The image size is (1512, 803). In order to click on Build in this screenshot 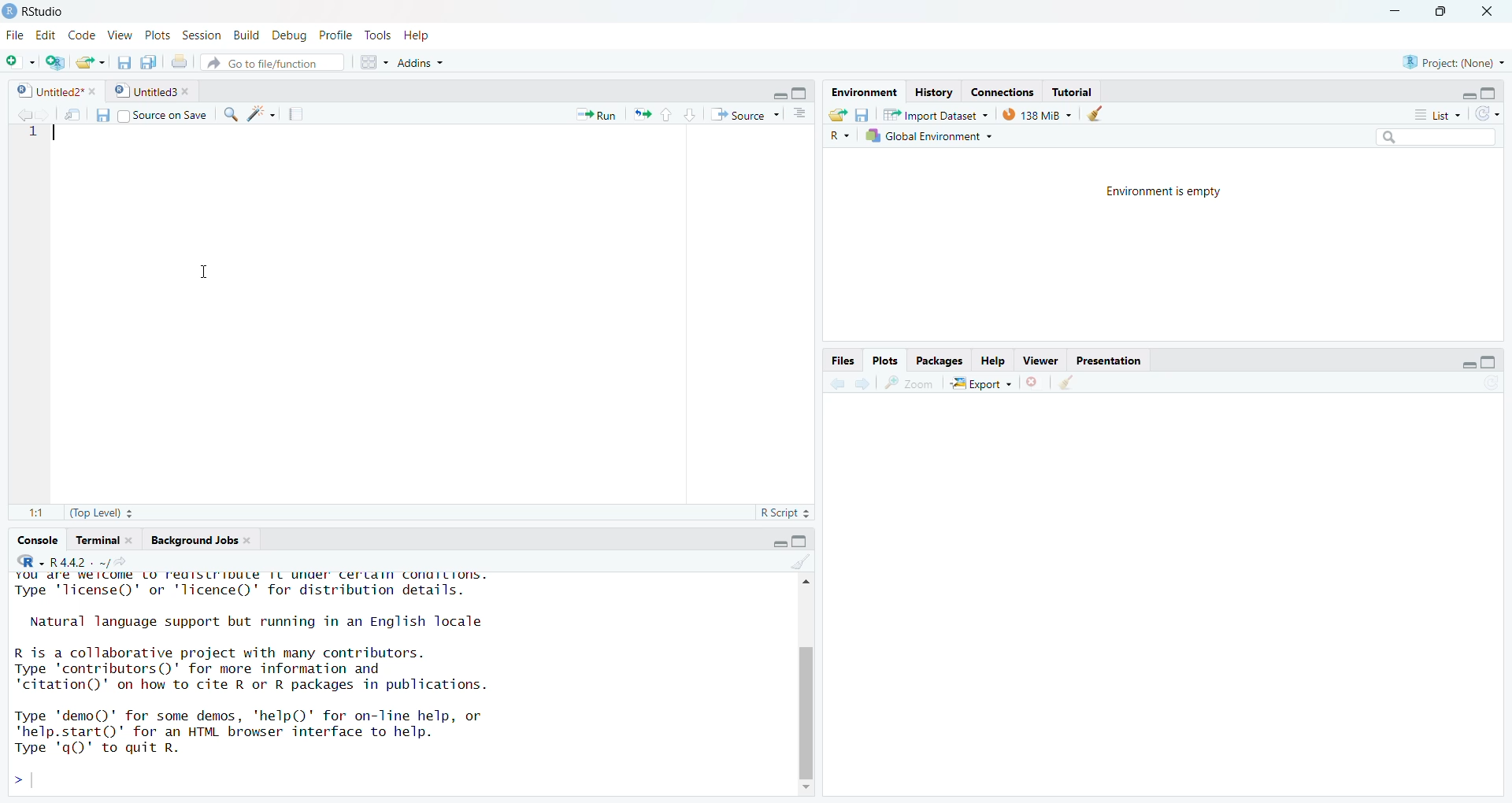, I will do `click(243, 36)`.